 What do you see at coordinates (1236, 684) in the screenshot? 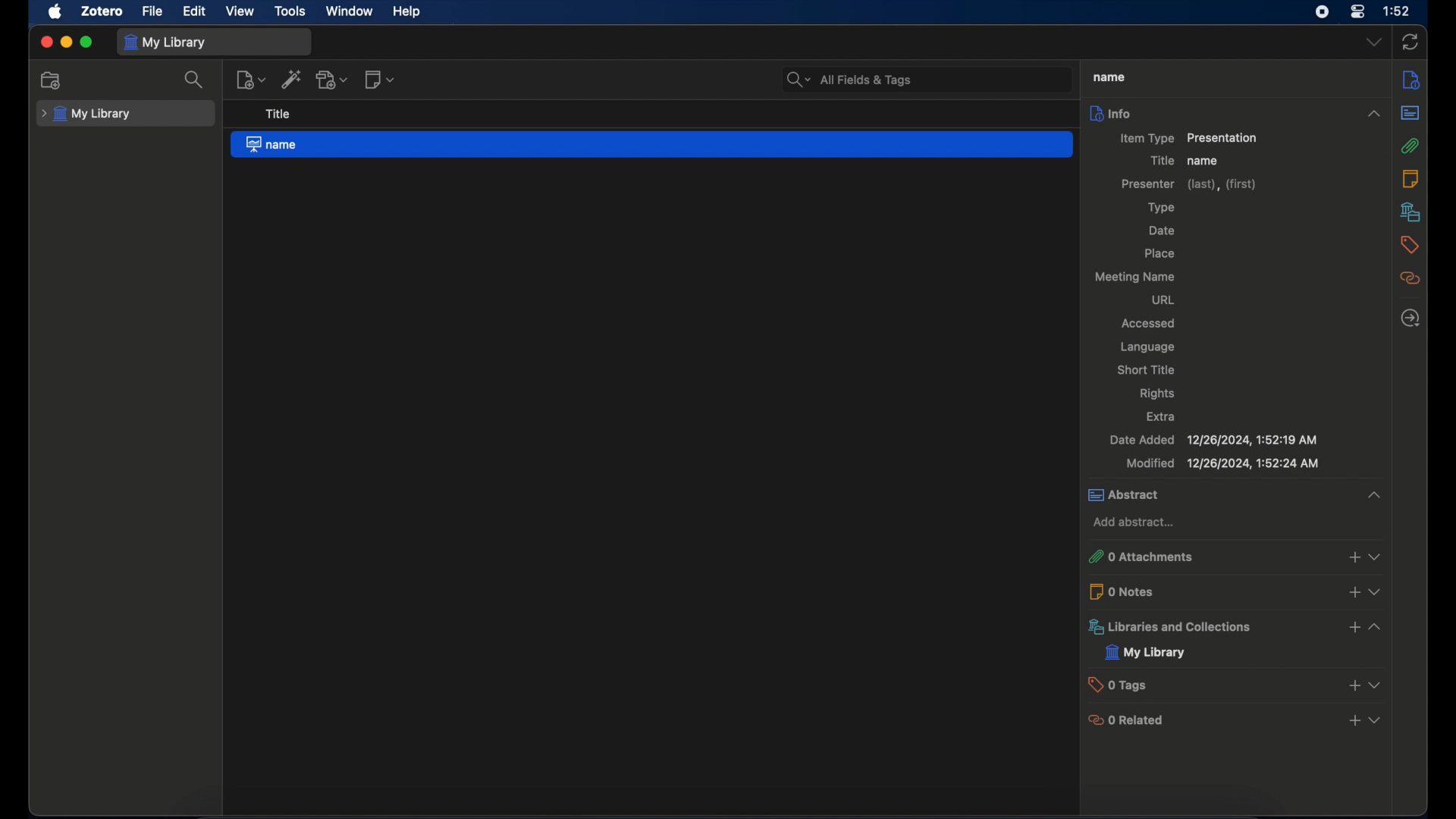
I see `0 tags` at bounding box center [1236, 684].